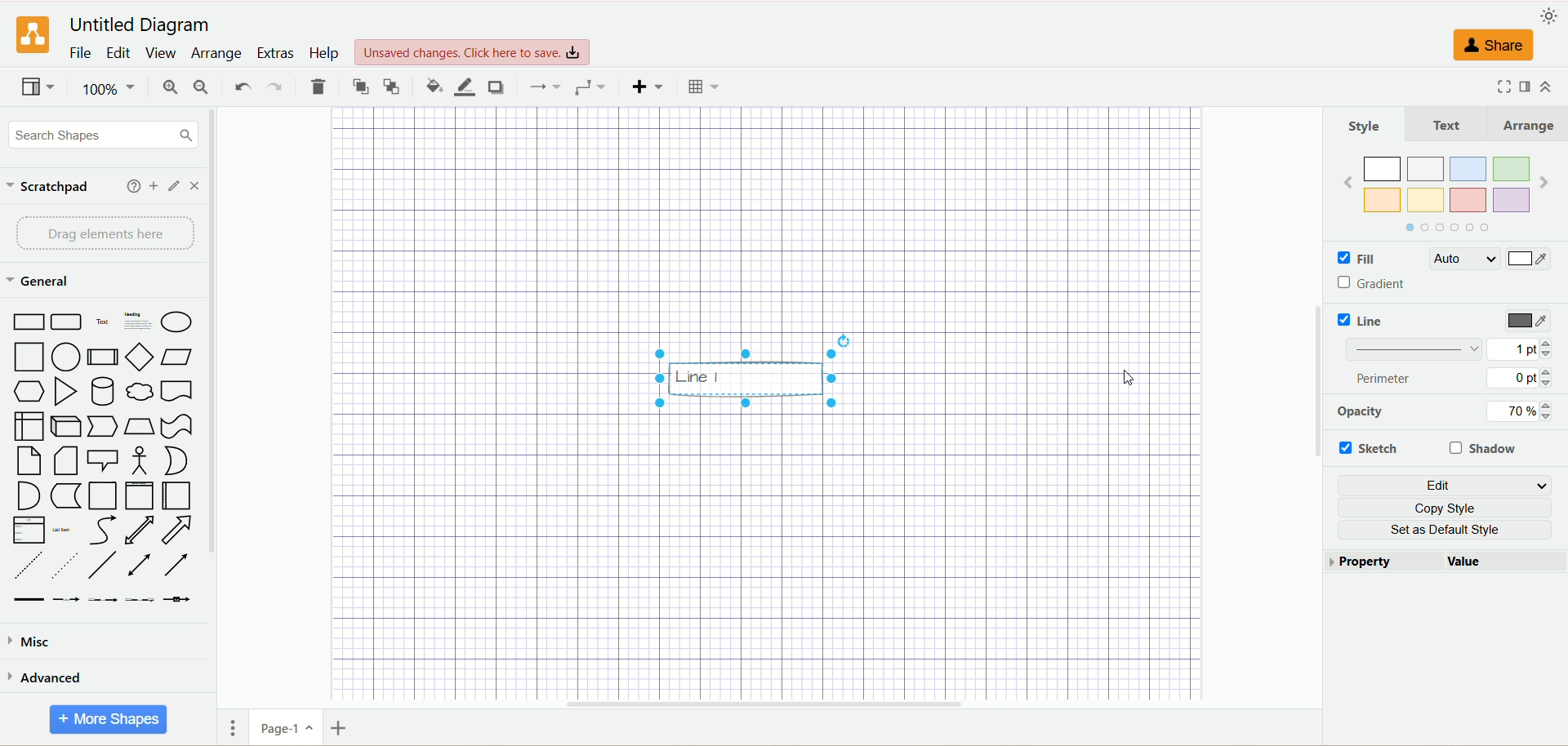  Describe the element at coordinates (1492, 47) in the screenshot. I see `share` at that location.